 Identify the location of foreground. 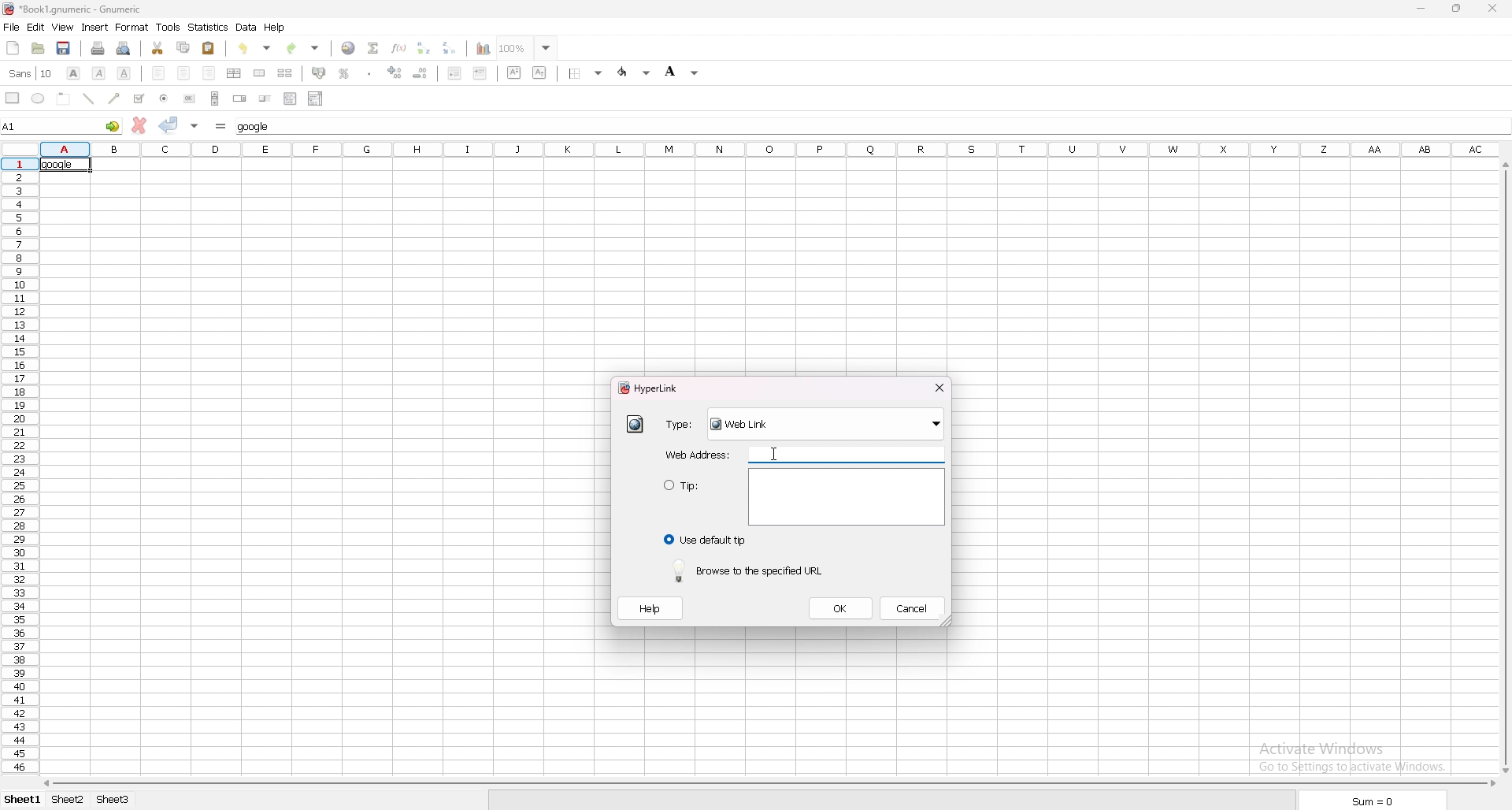
(636, 72).